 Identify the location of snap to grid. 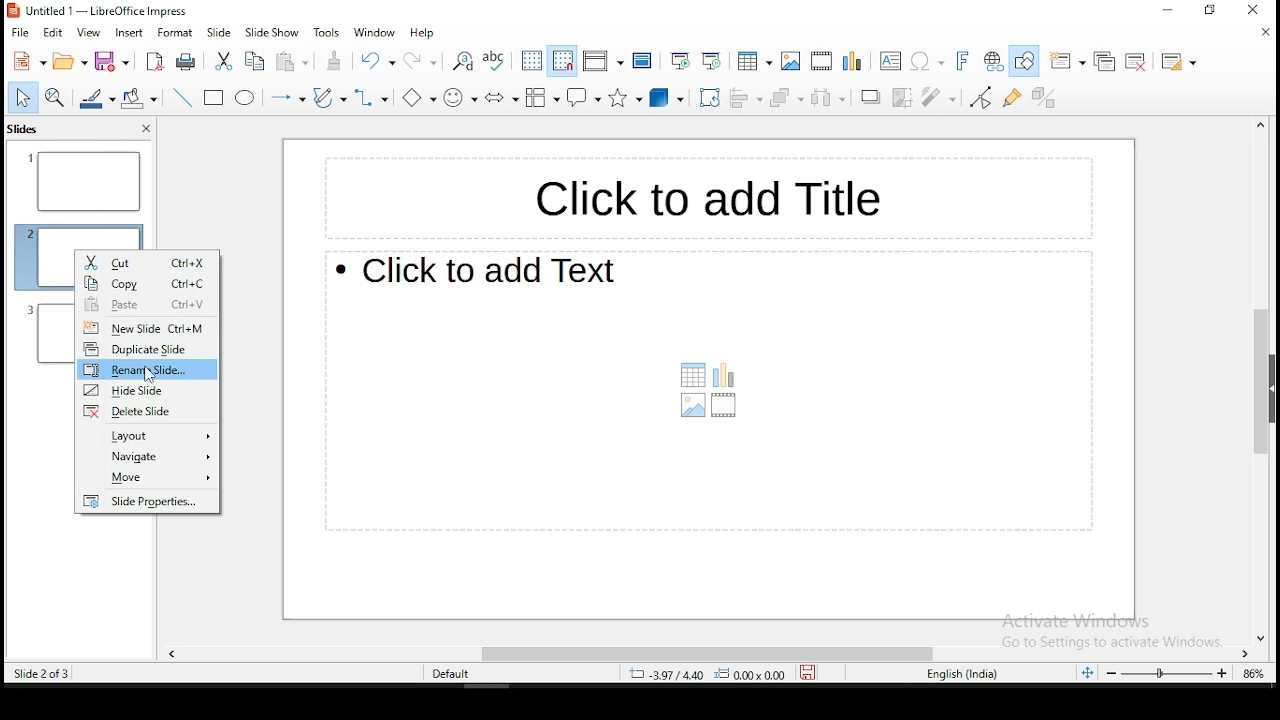
(560, 62).